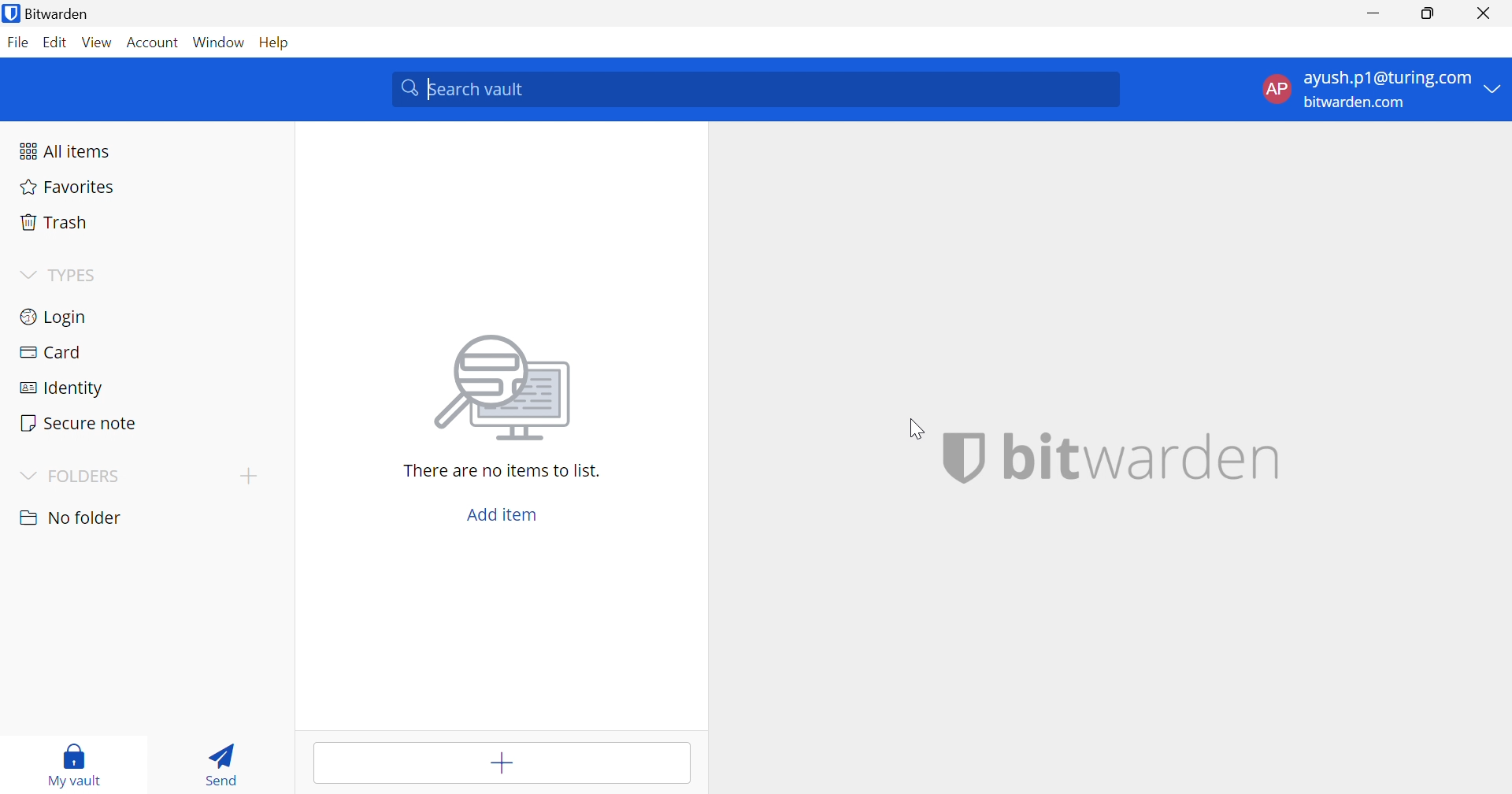  What do you see at coordinates (89, 477) in the screenshot?
I see `FOLDERS` at bounding box center [89, 477].